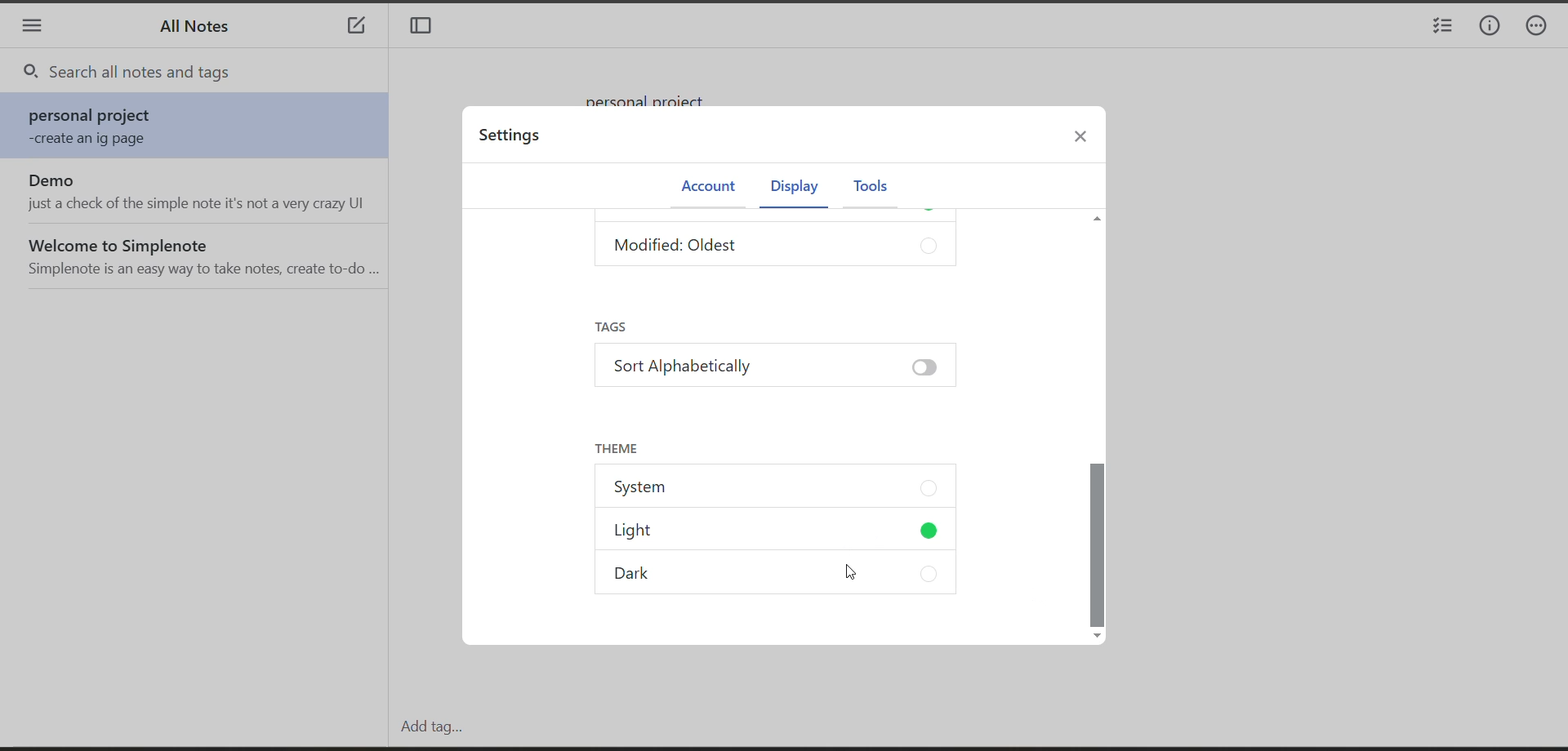  I want to click on cursor, so click(852, 574).